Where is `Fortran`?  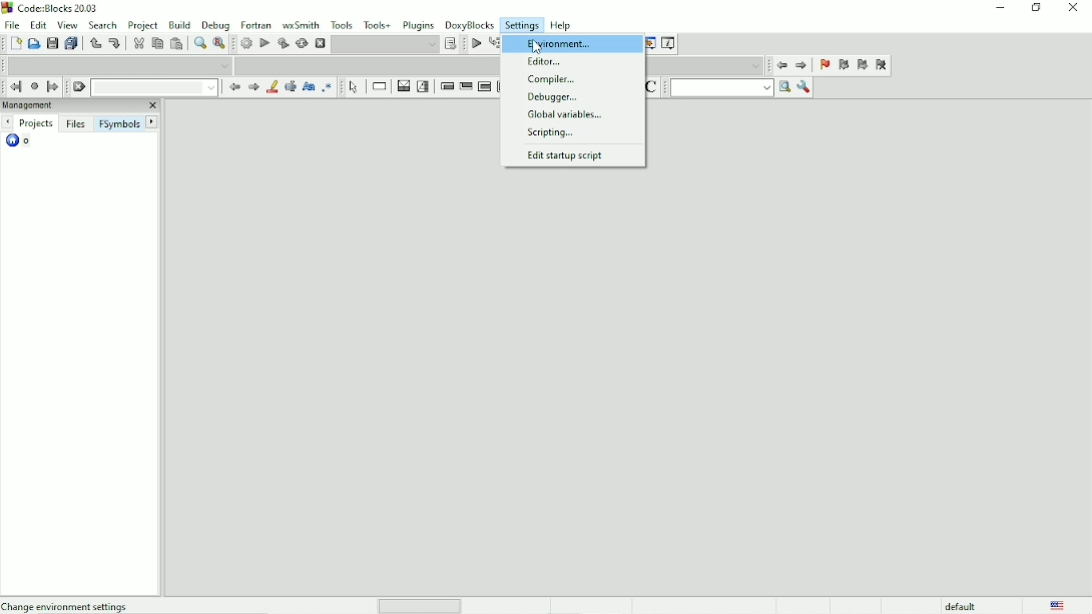
Fortran is located at coordinates (255, 25).